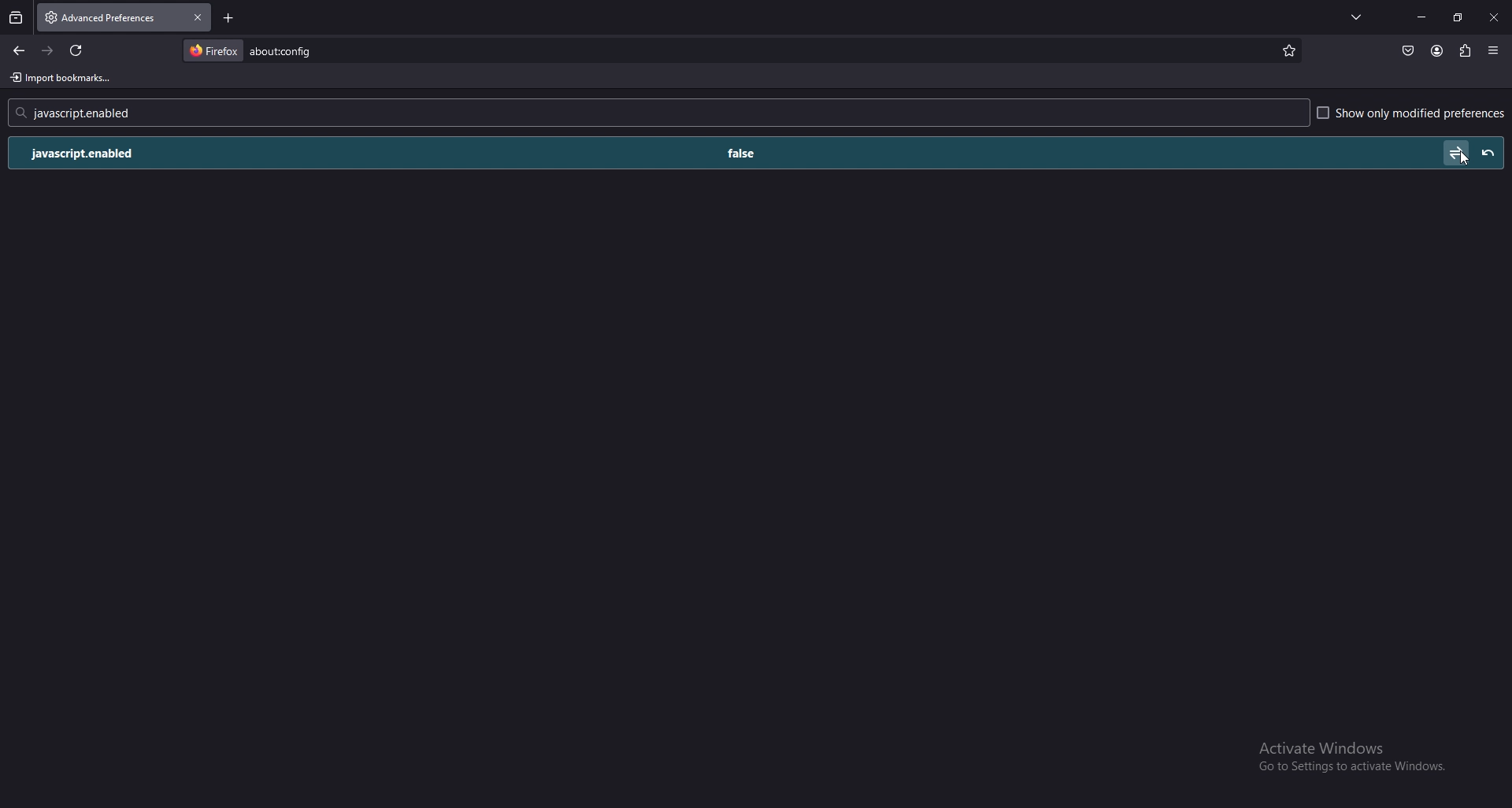  Describe the element at coordinates (746, 152) in the screenshot. I see `false` at that location.